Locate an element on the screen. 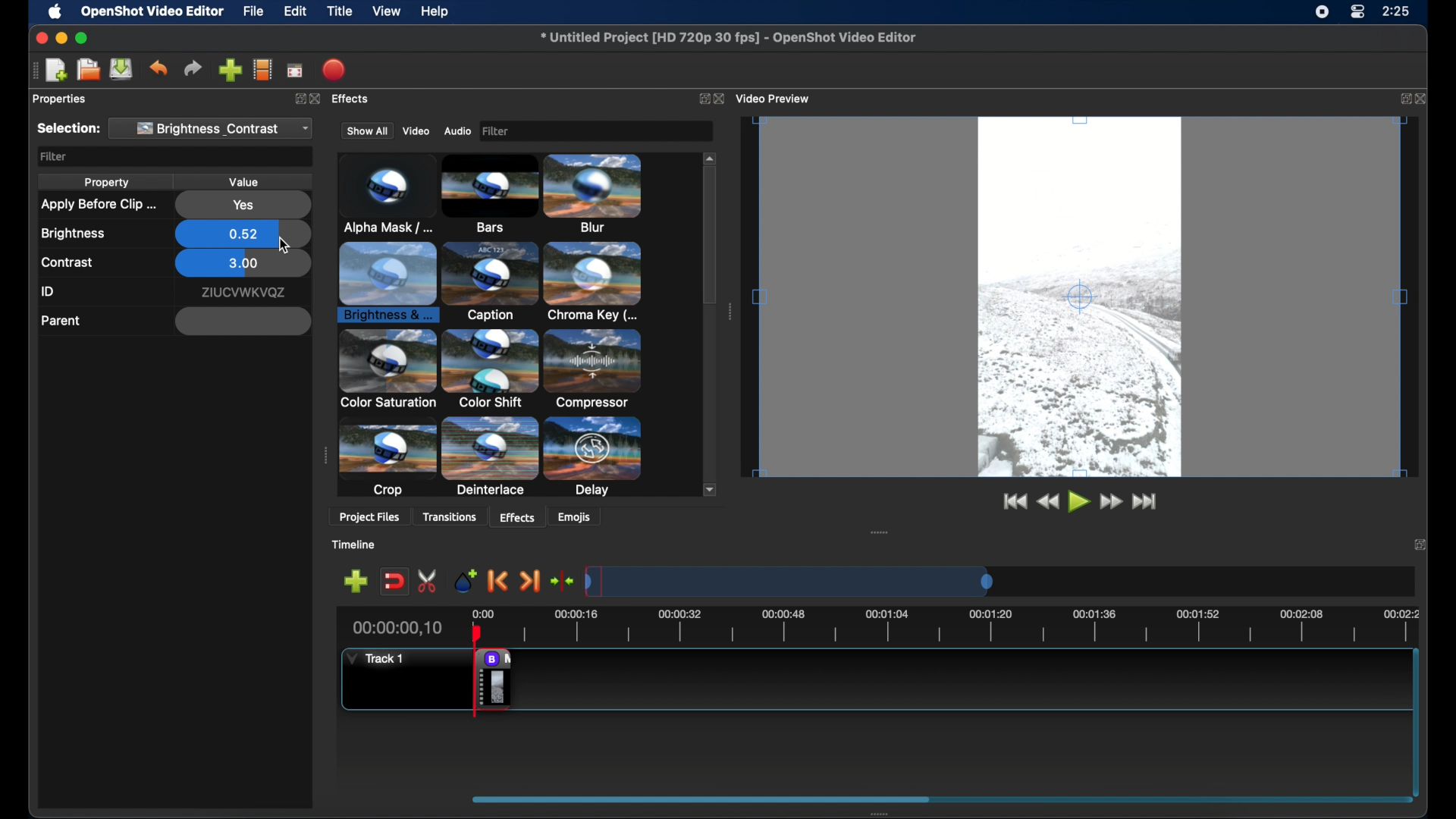  drag handle is located at coordinates (33, 71).